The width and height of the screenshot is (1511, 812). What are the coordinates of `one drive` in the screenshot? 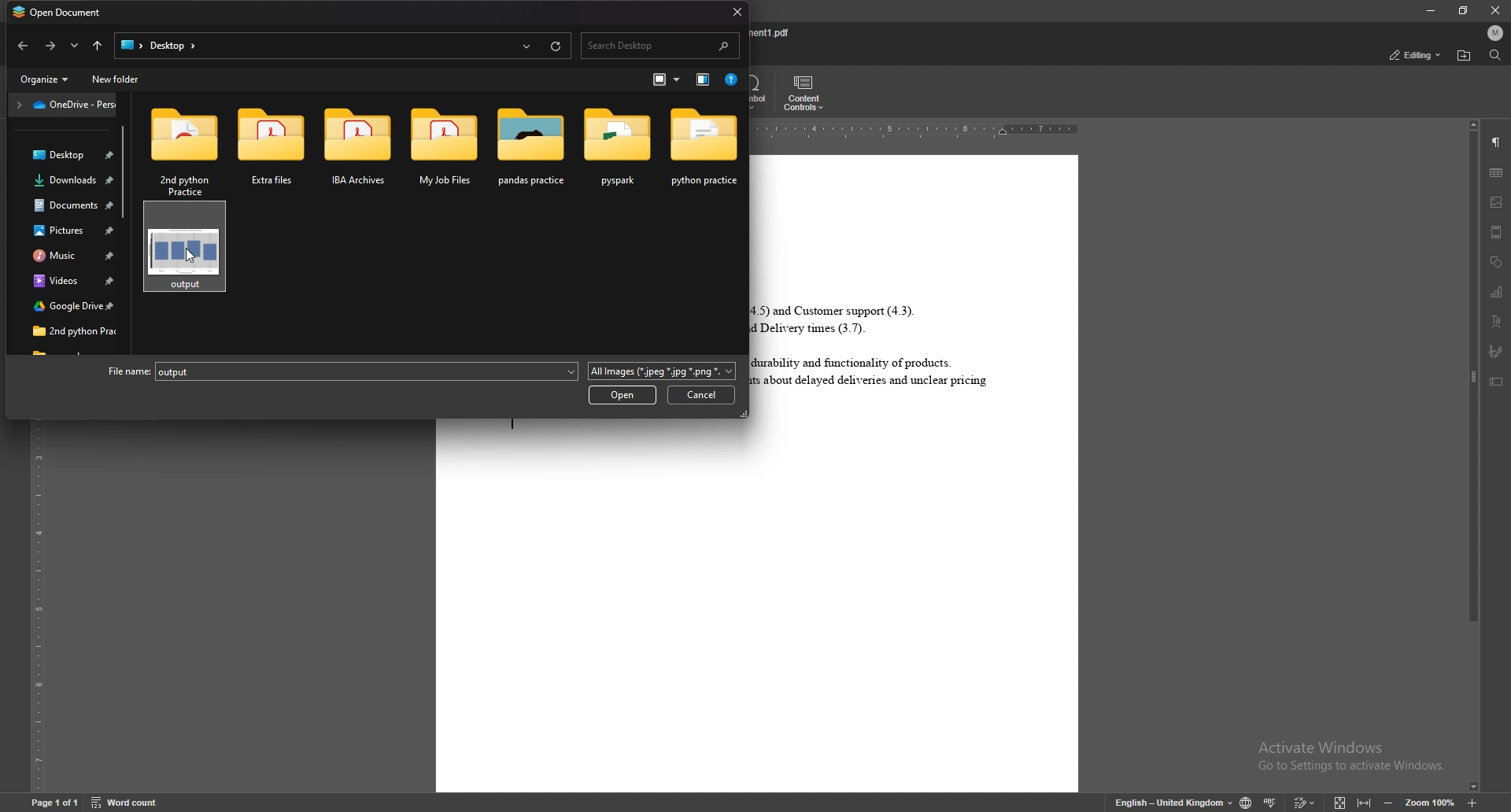 It's located at (63, 107).